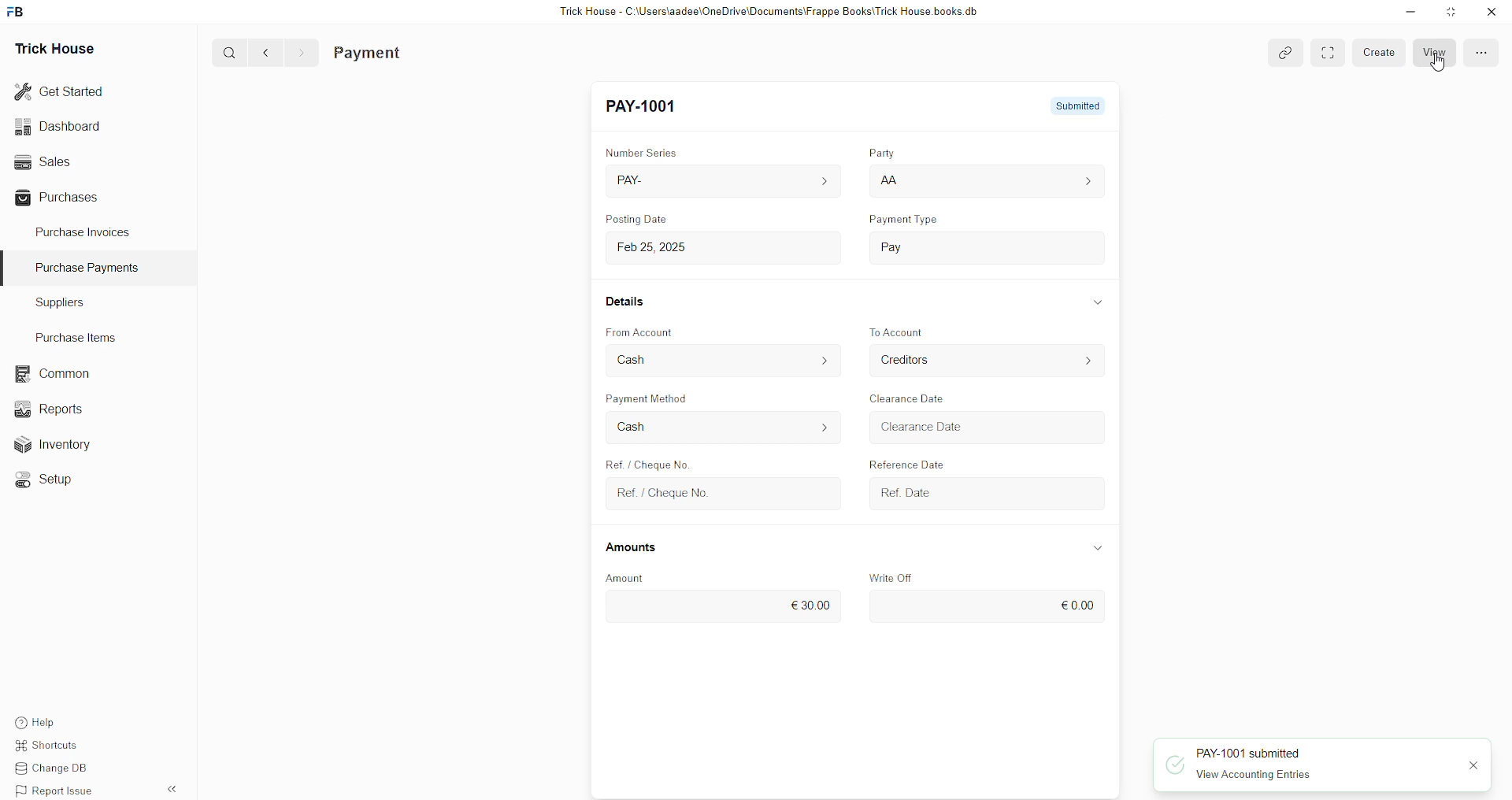 The width and height of the screenshot is (1512, 800). What do you see at coordinates (909, 220) in the screenshot?
I see `payment type` at bounding box center [909, 220].